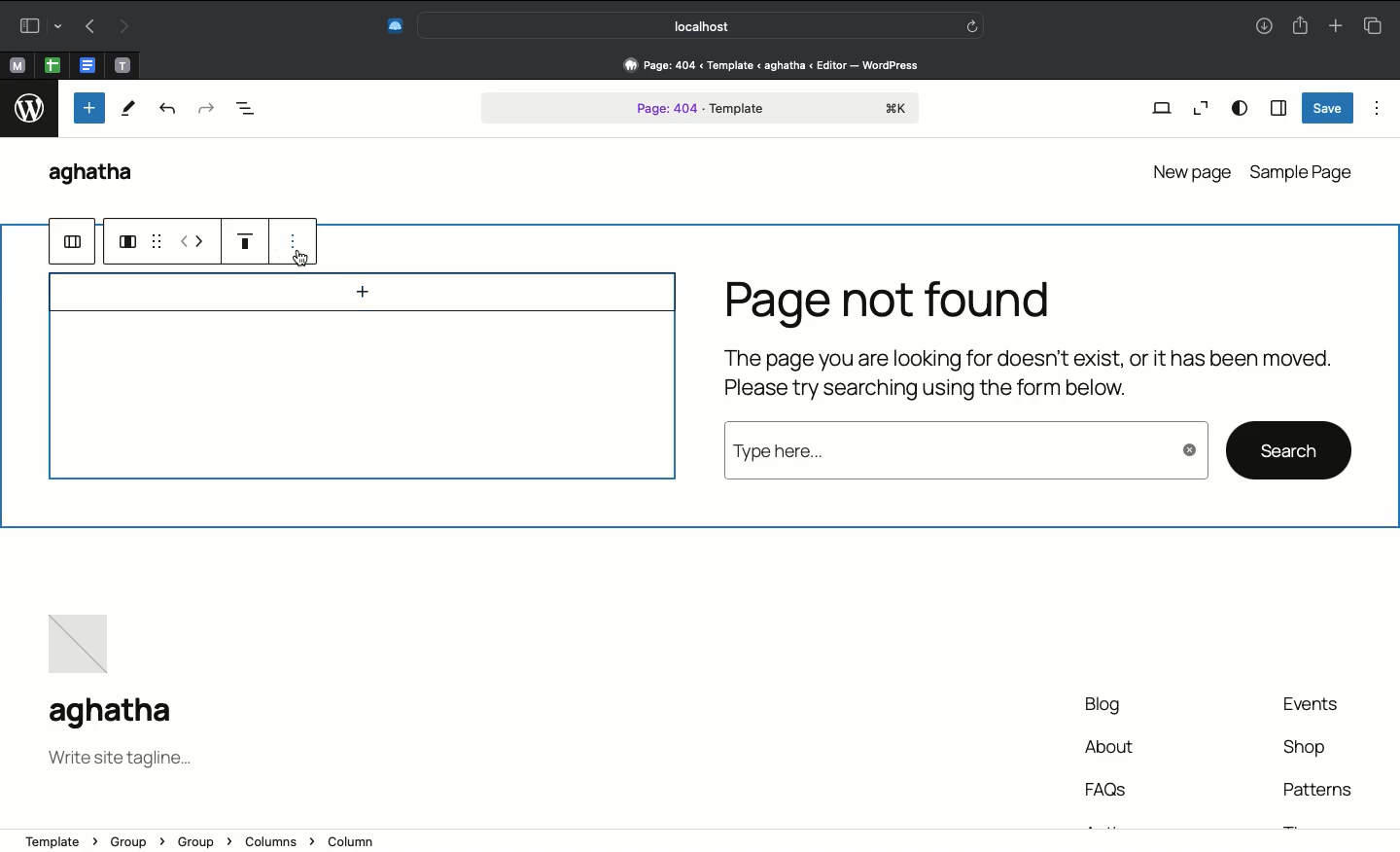 Image resolution: width=1400 pixels, height=852 pixels. What do you see at coordinates (1032, 344) in the screenshot?
I see `Page not found` at bounding box center [1032, 344].